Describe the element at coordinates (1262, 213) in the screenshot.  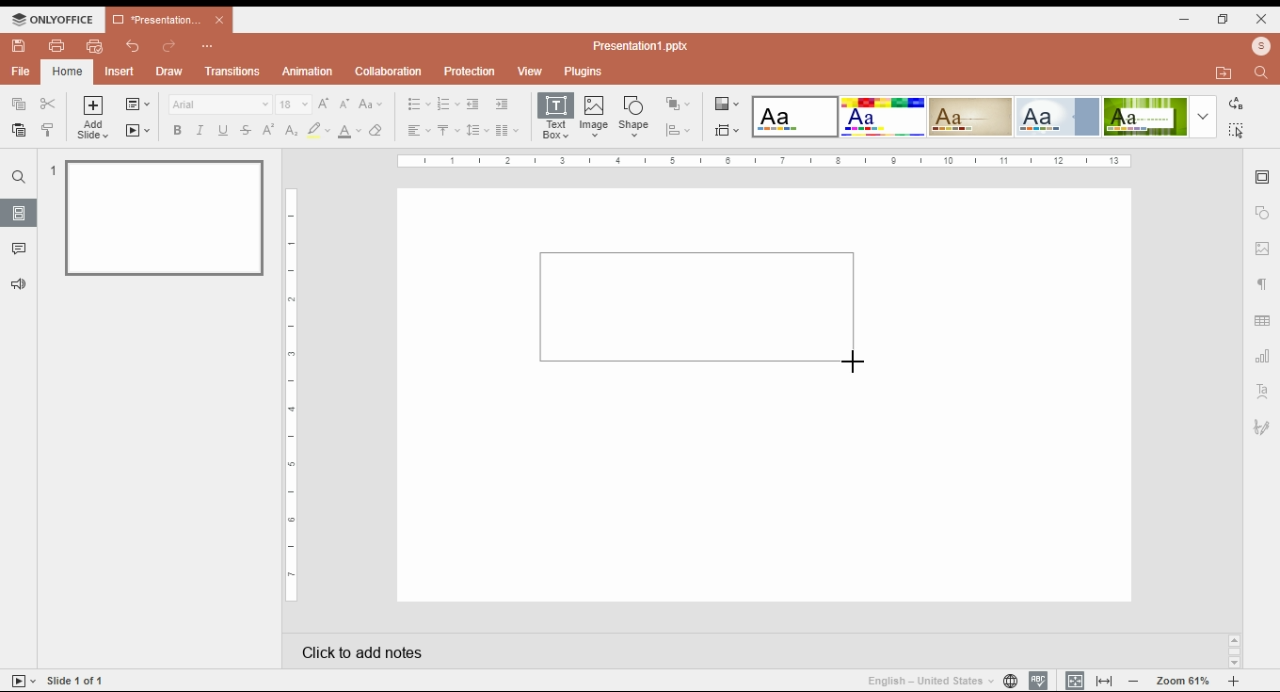
I see `shape settings` at that location.